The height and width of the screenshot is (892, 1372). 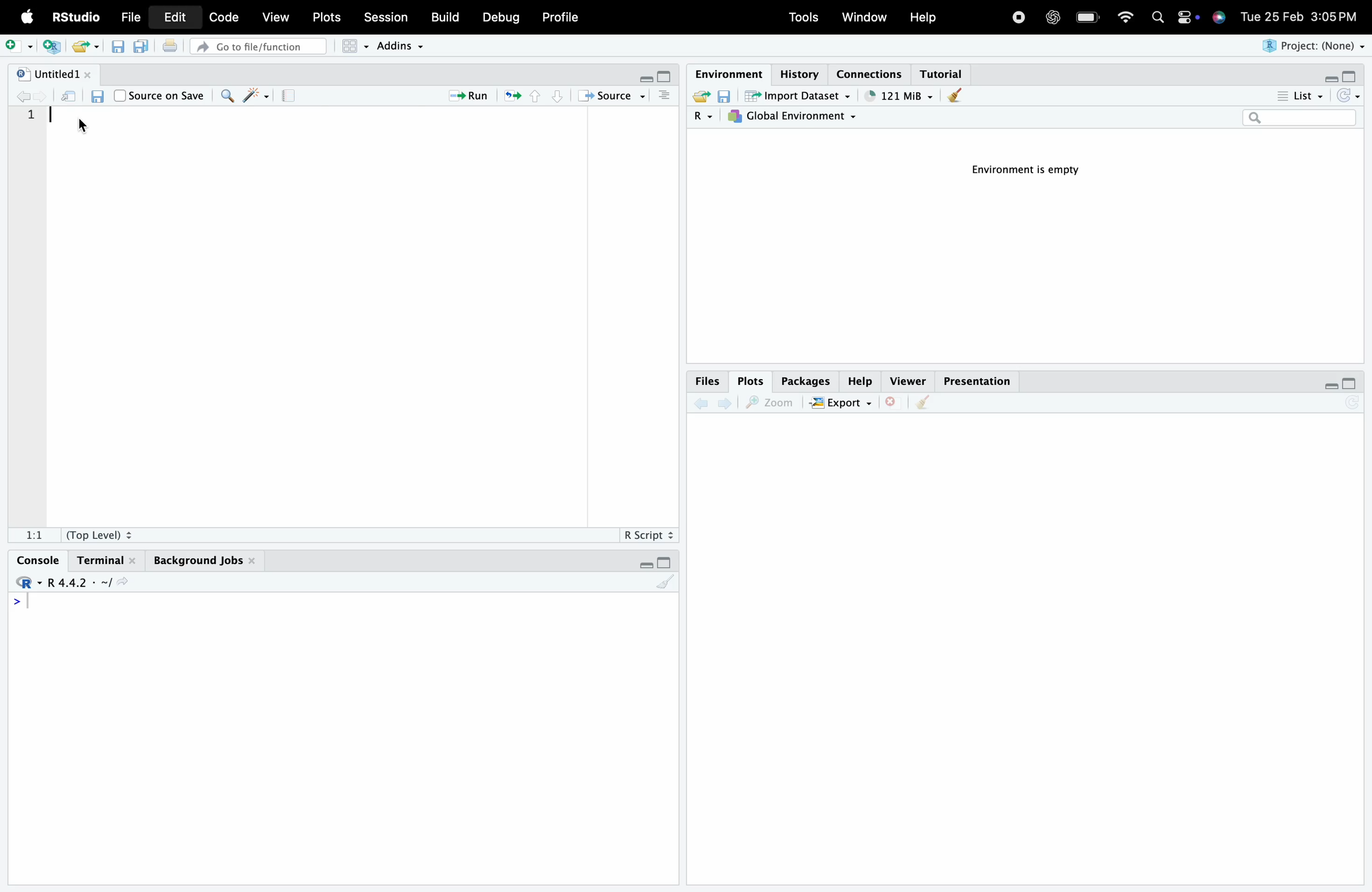 What do you see at coordinates (100, 532) in the screenshot?
I see `(Top Level):` at bounding box center [100, 532].